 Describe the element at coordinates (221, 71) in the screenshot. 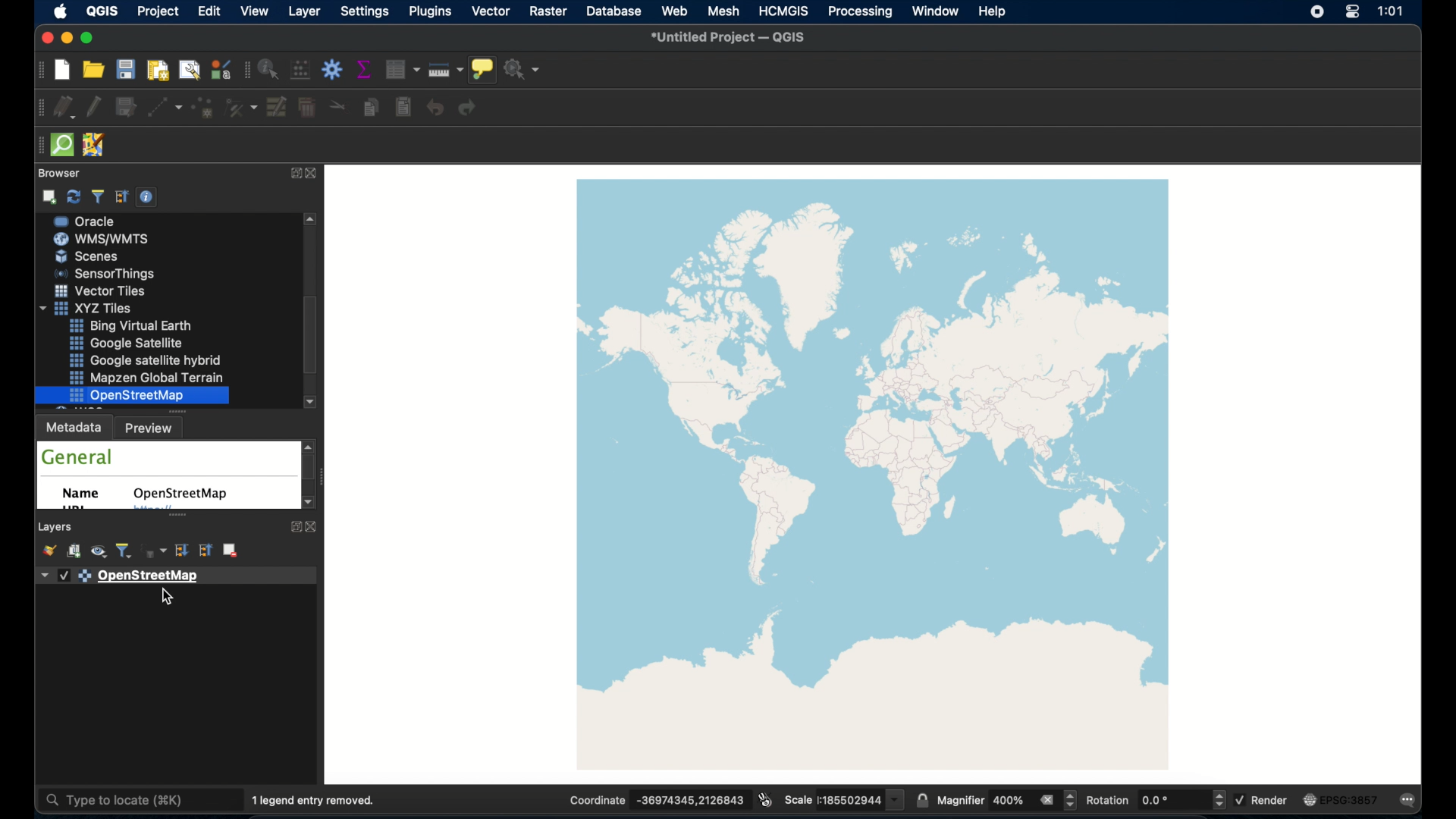

I see `style manager` at that location.